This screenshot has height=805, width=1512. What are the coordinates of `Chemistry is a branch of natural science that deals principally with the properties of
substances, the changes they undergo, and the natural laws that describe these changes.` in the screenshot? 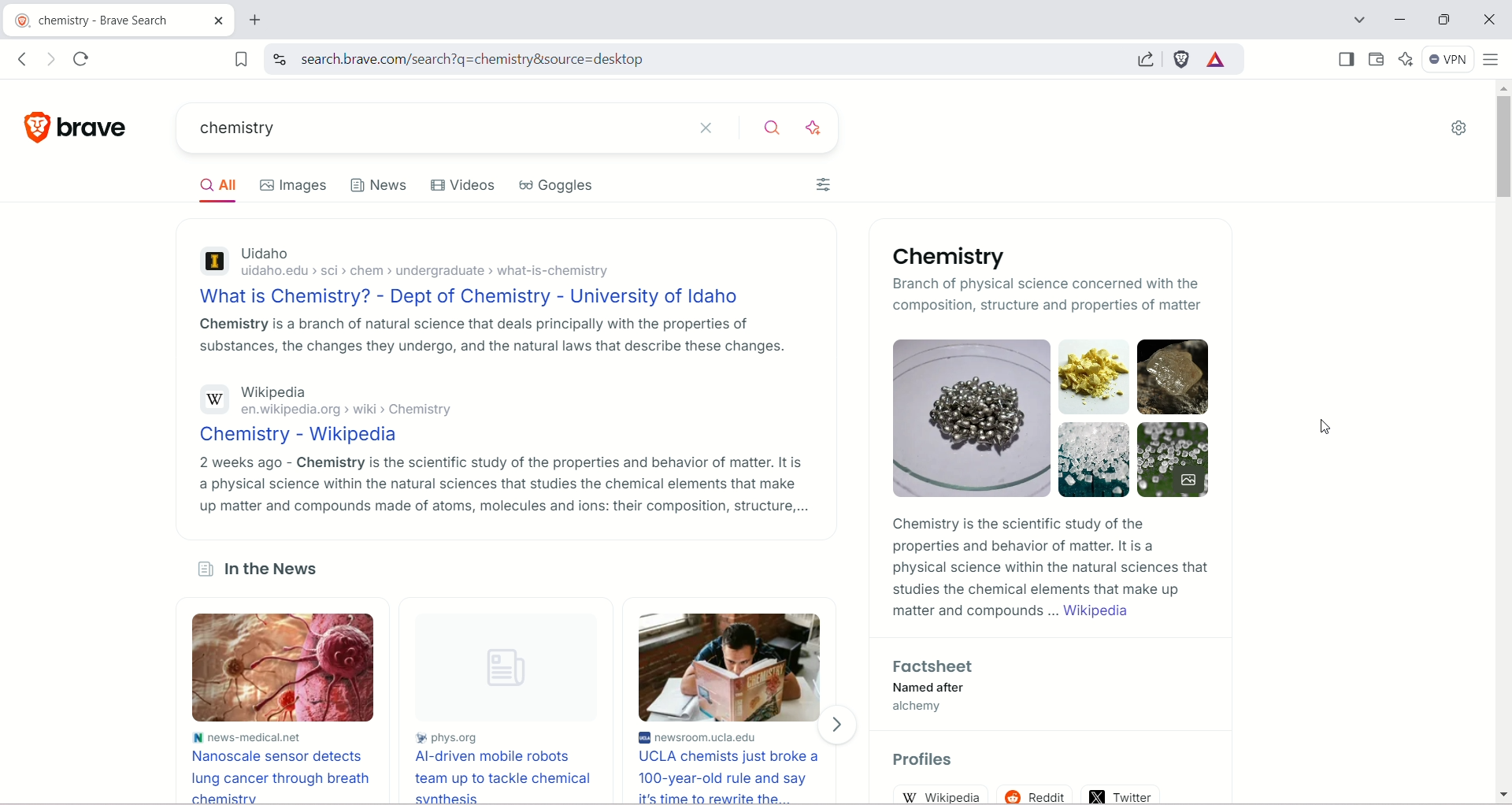 It's located at (498, 338).